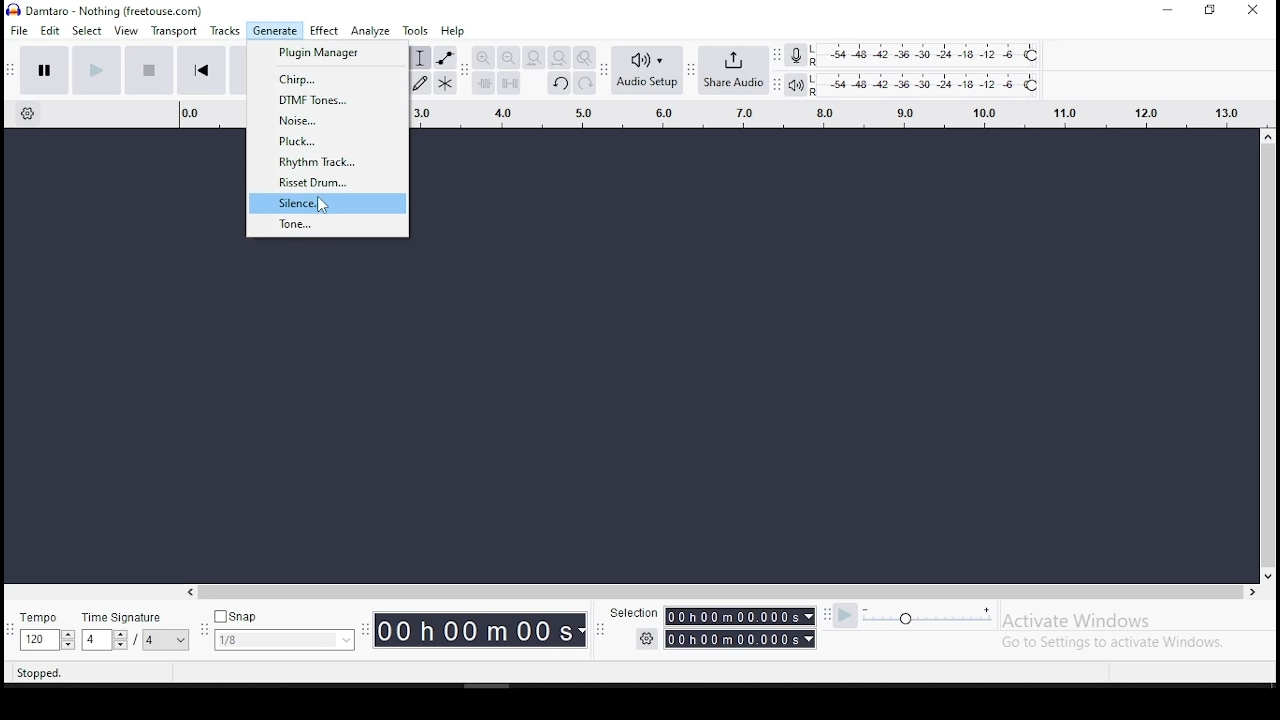 Image resolution: width=1280 pixels, height=720 pixels. I want to click on recording level, so click(927, 54).